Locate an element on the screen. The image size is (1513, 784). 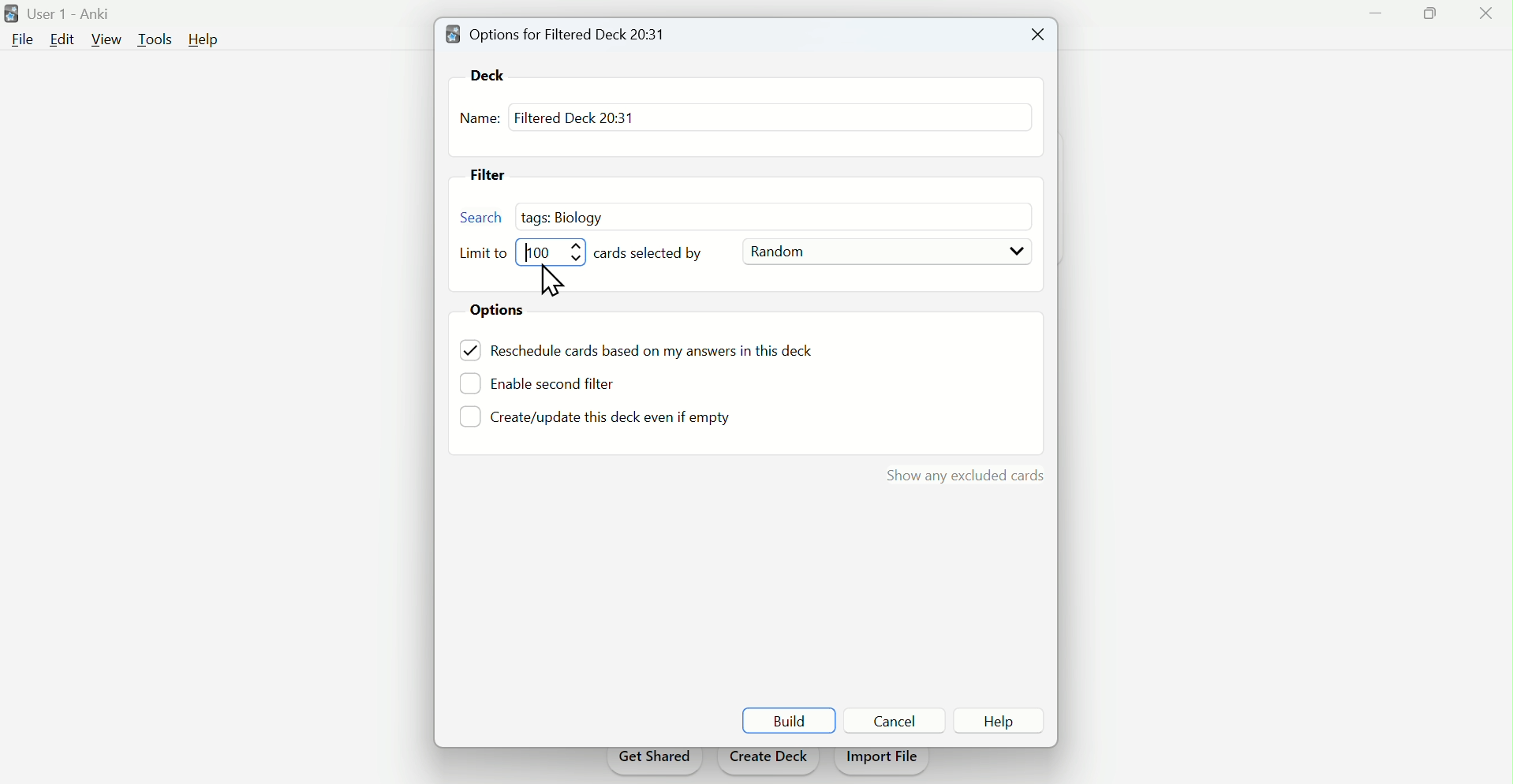
Limit bar is located at coordinates (555, 252).